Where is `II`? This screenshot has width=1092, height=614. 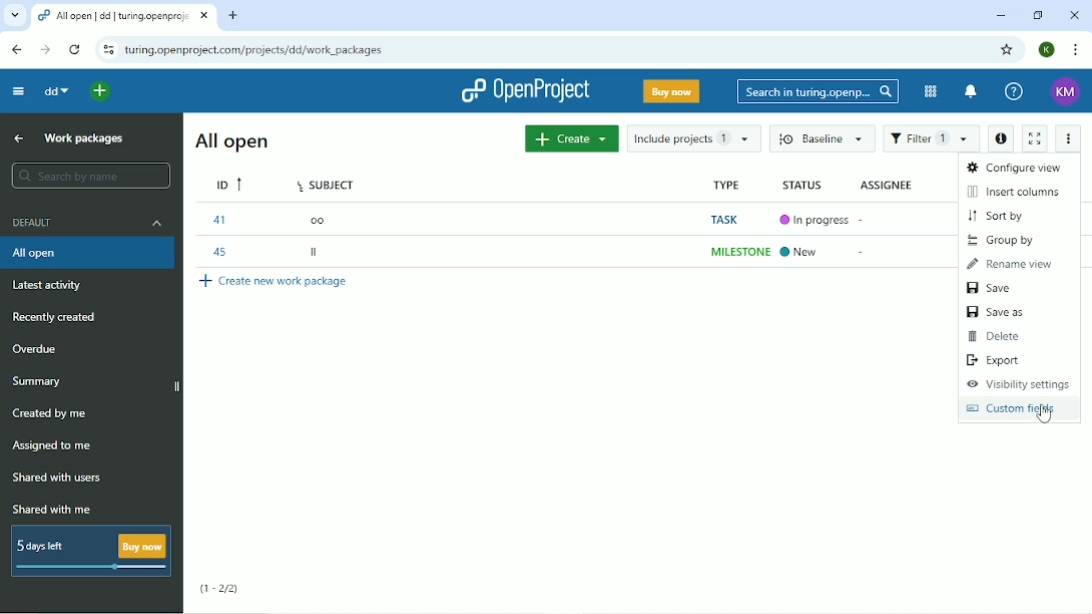
II is located at coordinates (318, 253).